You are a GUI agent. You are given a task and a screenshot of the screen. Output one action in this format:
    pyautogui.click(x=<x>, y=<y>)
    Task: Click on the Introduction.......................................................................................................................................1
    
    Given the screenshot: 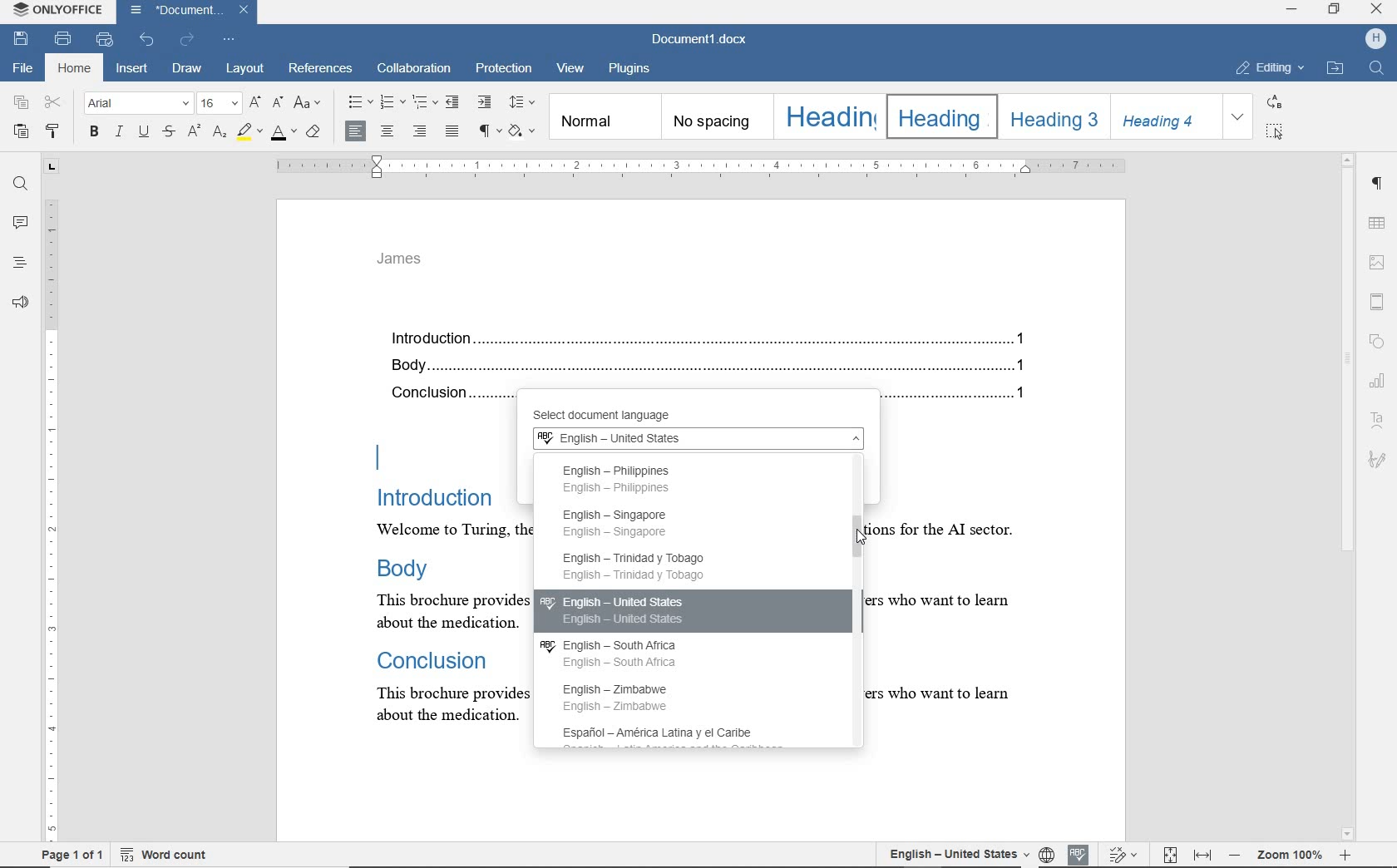 What is the action you would take?
    pyautogui.click(x=714, y=340)
    